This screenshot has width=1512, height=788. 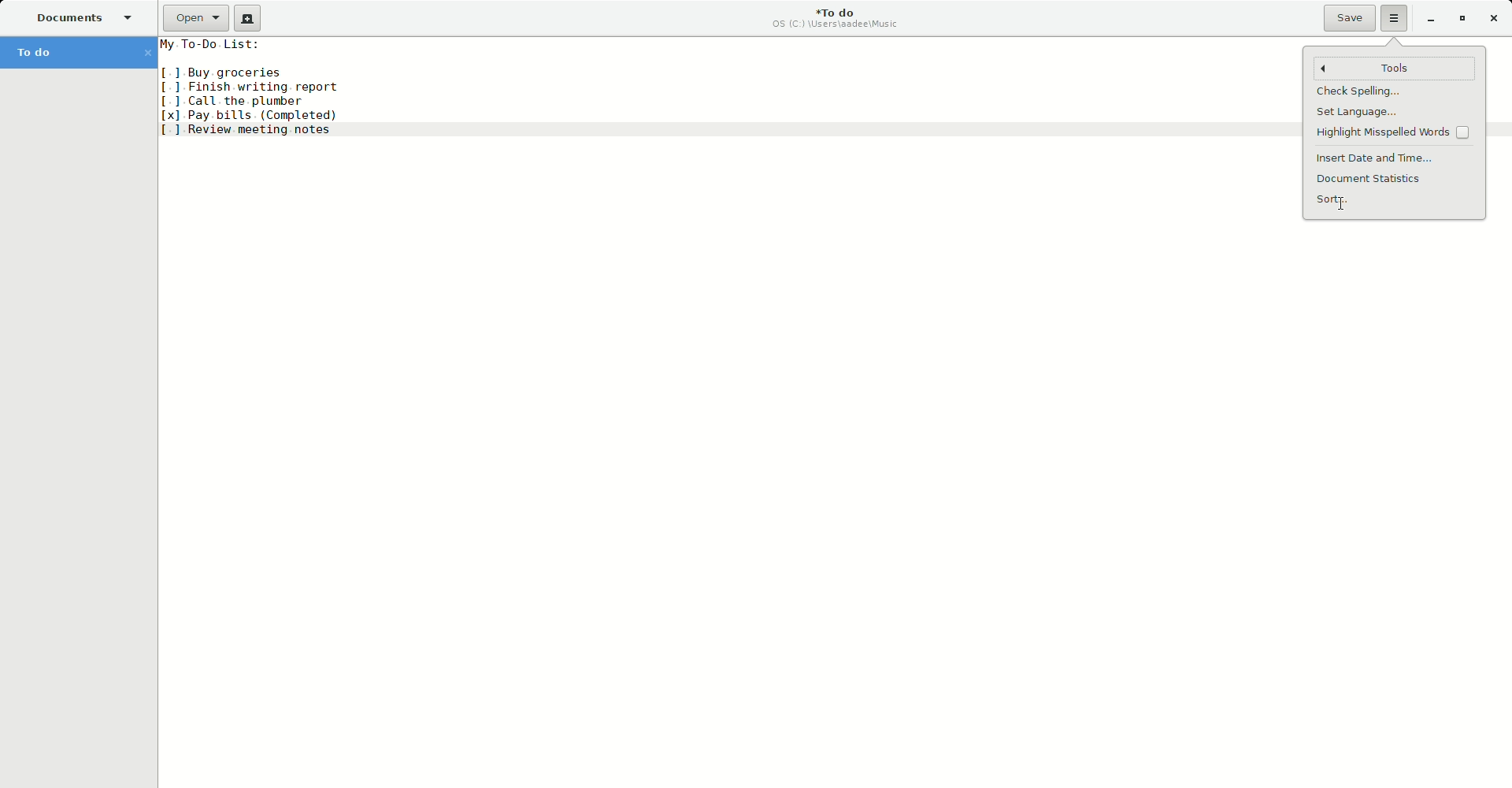 I want to click on Document statistics, so click(x=1378, y=178).